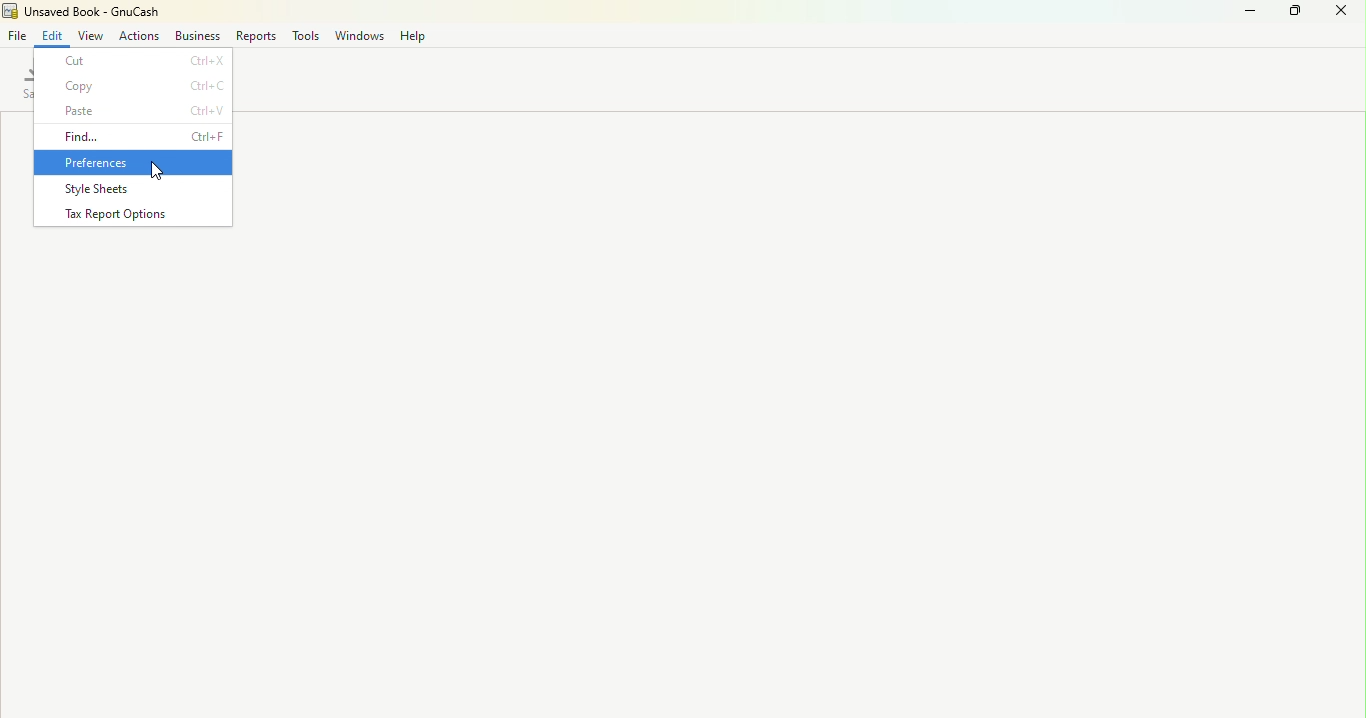 The image size is (1366, 718). I want to click on Windows, so click(358, 39).